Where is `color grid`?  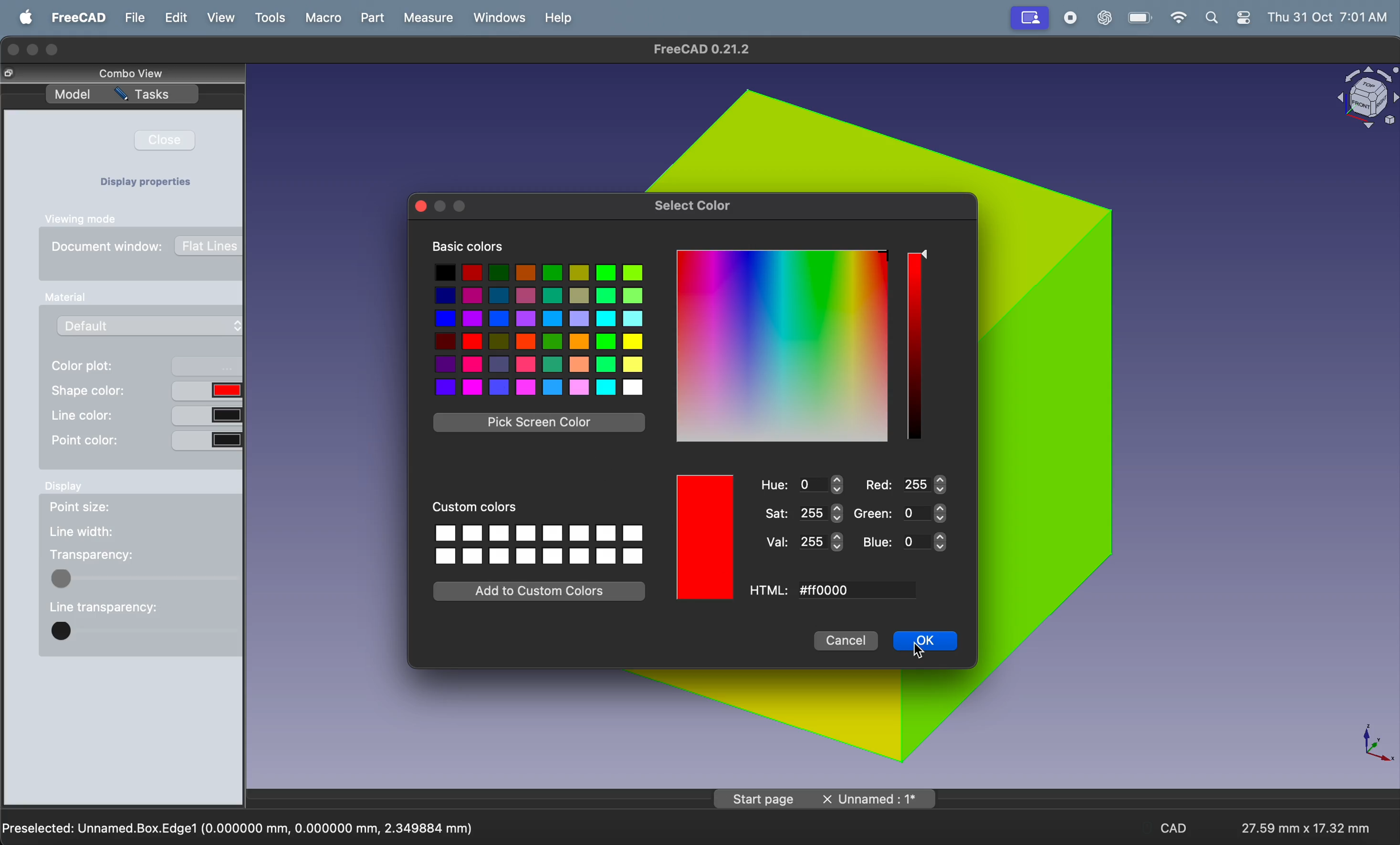
color grid is located at coordinates (782, 348).